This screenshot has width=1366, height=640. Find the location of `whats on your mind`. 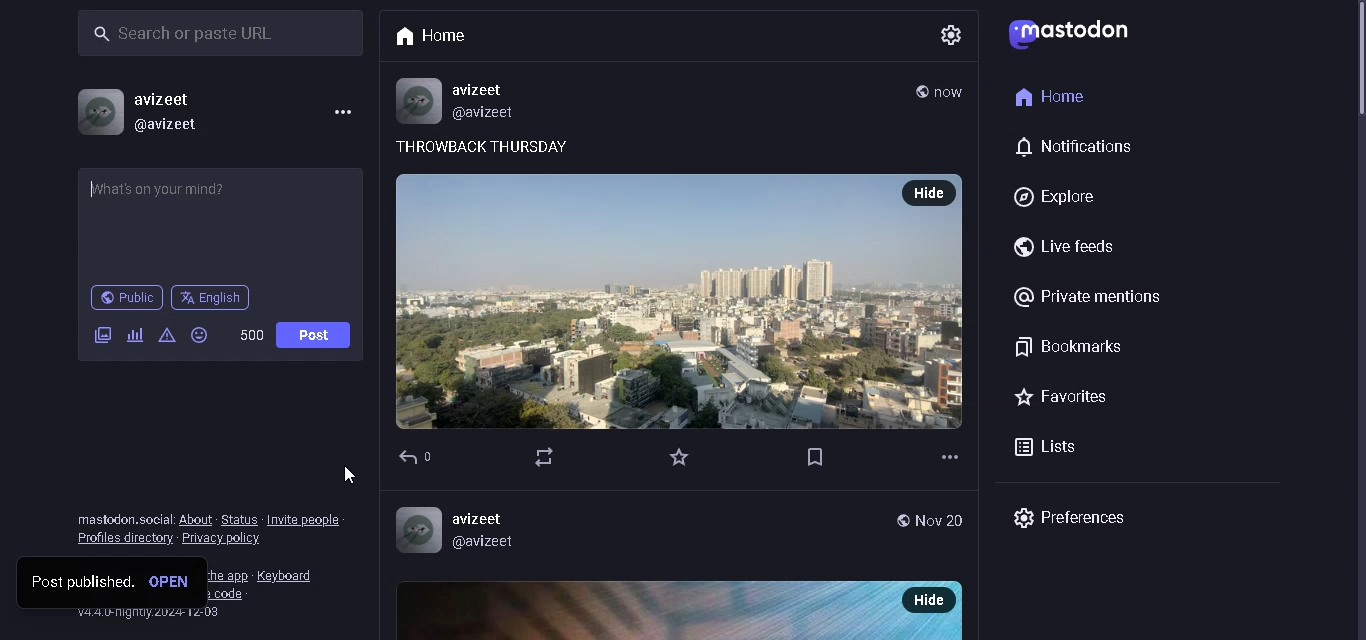

whats on your mind is located at coordinates (218, 223).